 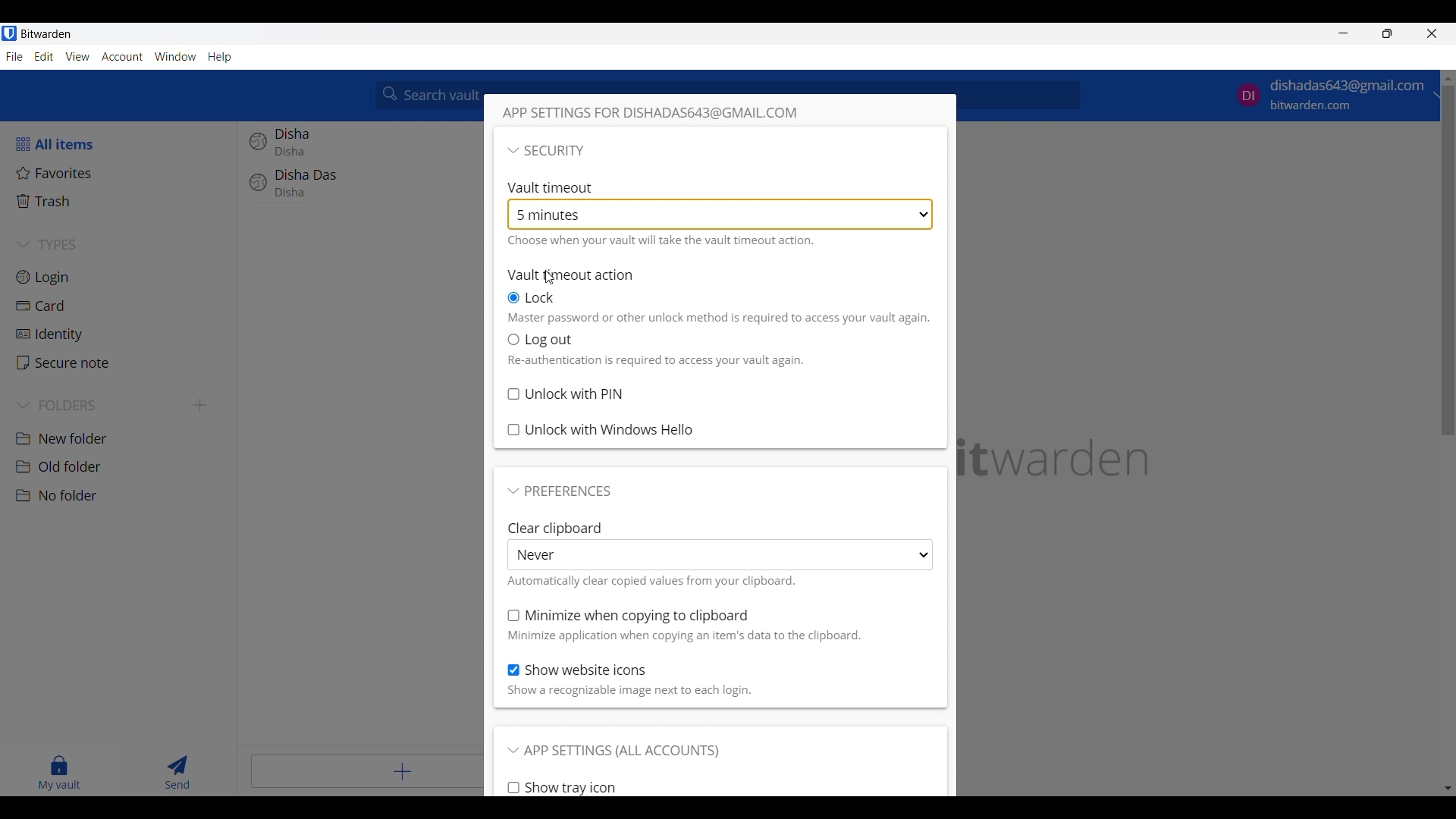 I want to click on Toggle for Unlock with Windows Hello, so click(x=601, y=430).